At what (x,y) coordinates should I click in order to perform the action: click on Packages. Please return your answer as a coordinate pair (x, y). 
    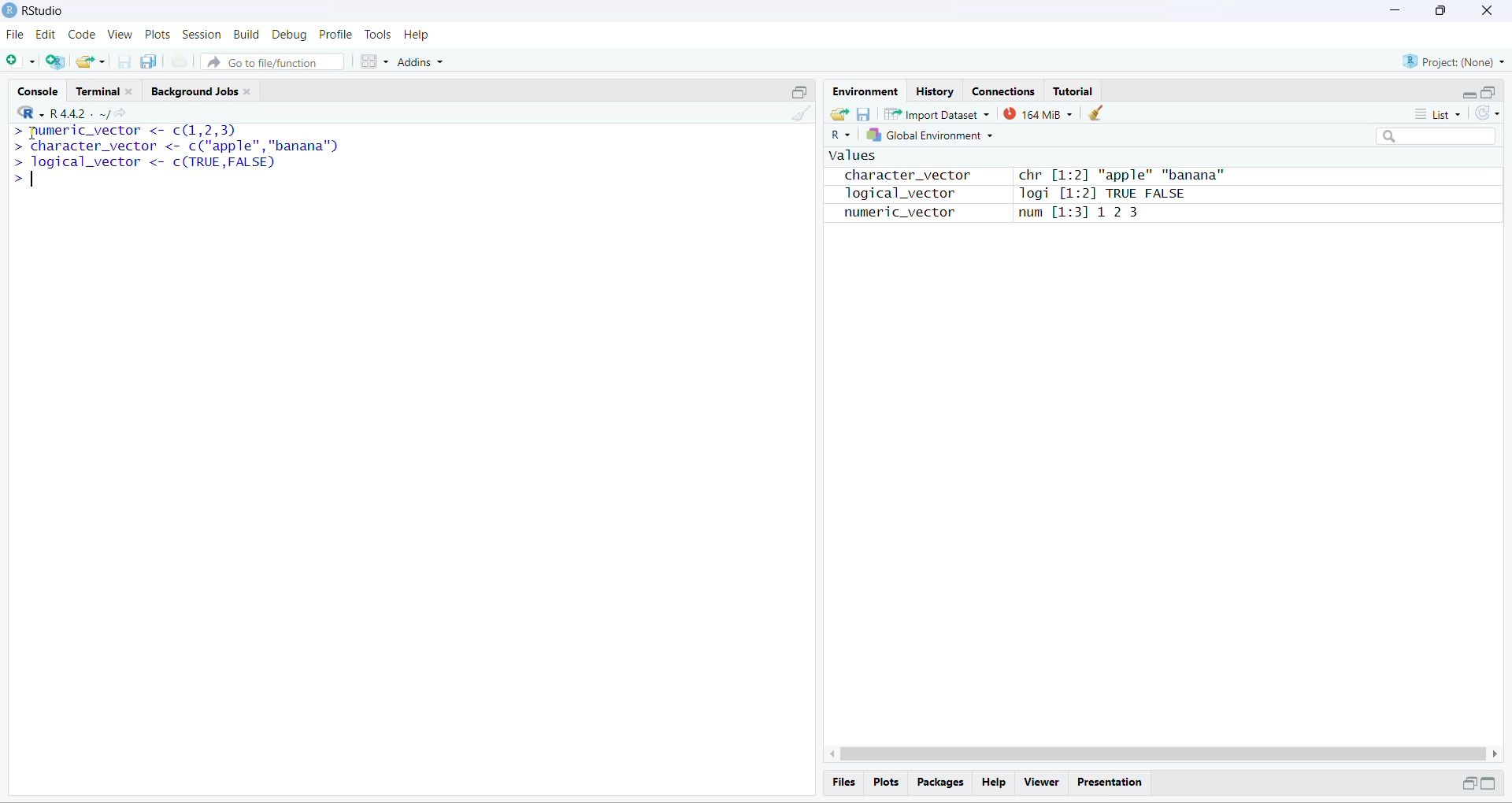
    Looking at the image, I should click on (940, 783).